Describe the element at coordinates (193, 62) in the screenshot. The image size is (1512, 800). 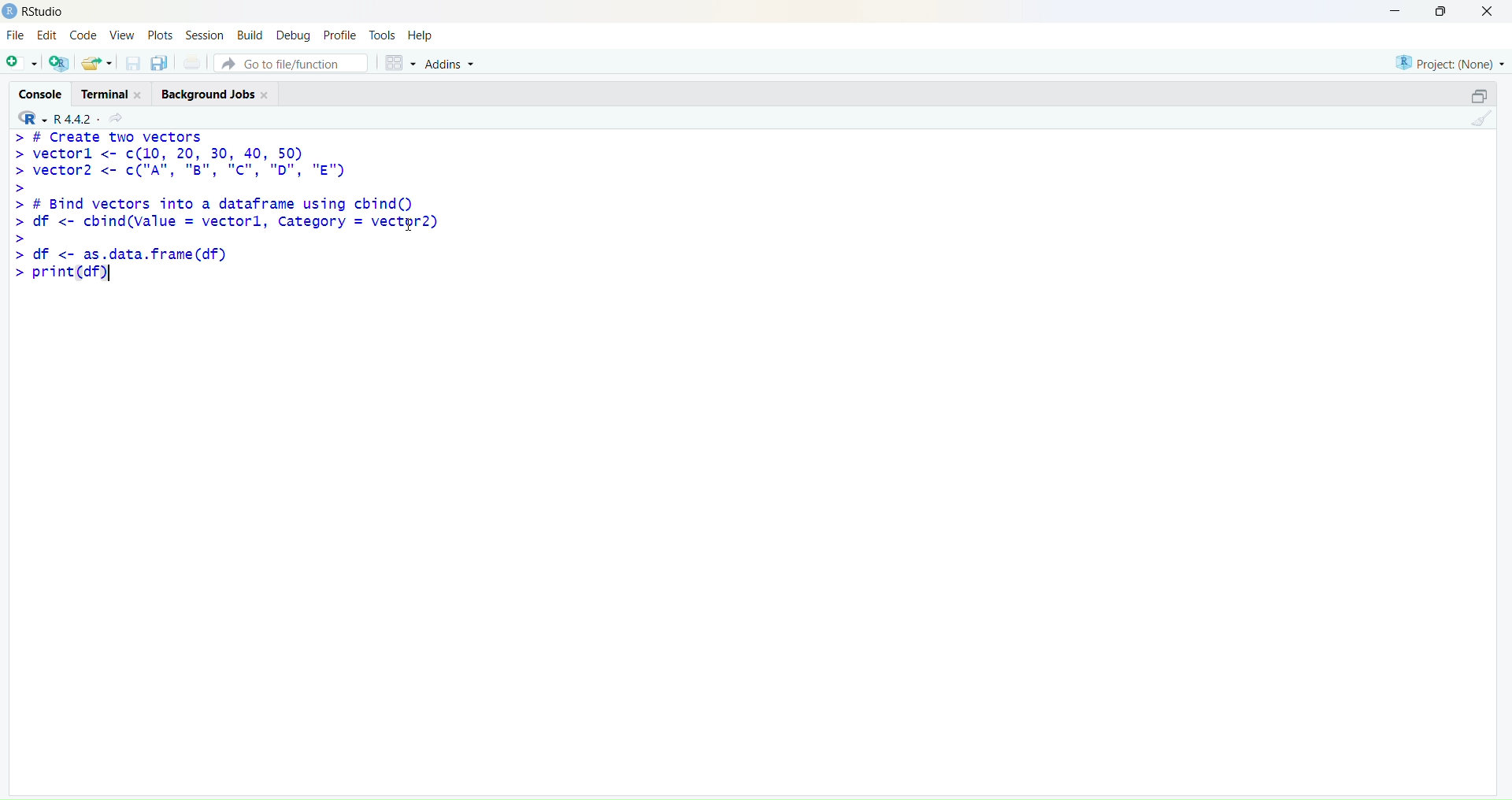
I see `print the current file` at that location.